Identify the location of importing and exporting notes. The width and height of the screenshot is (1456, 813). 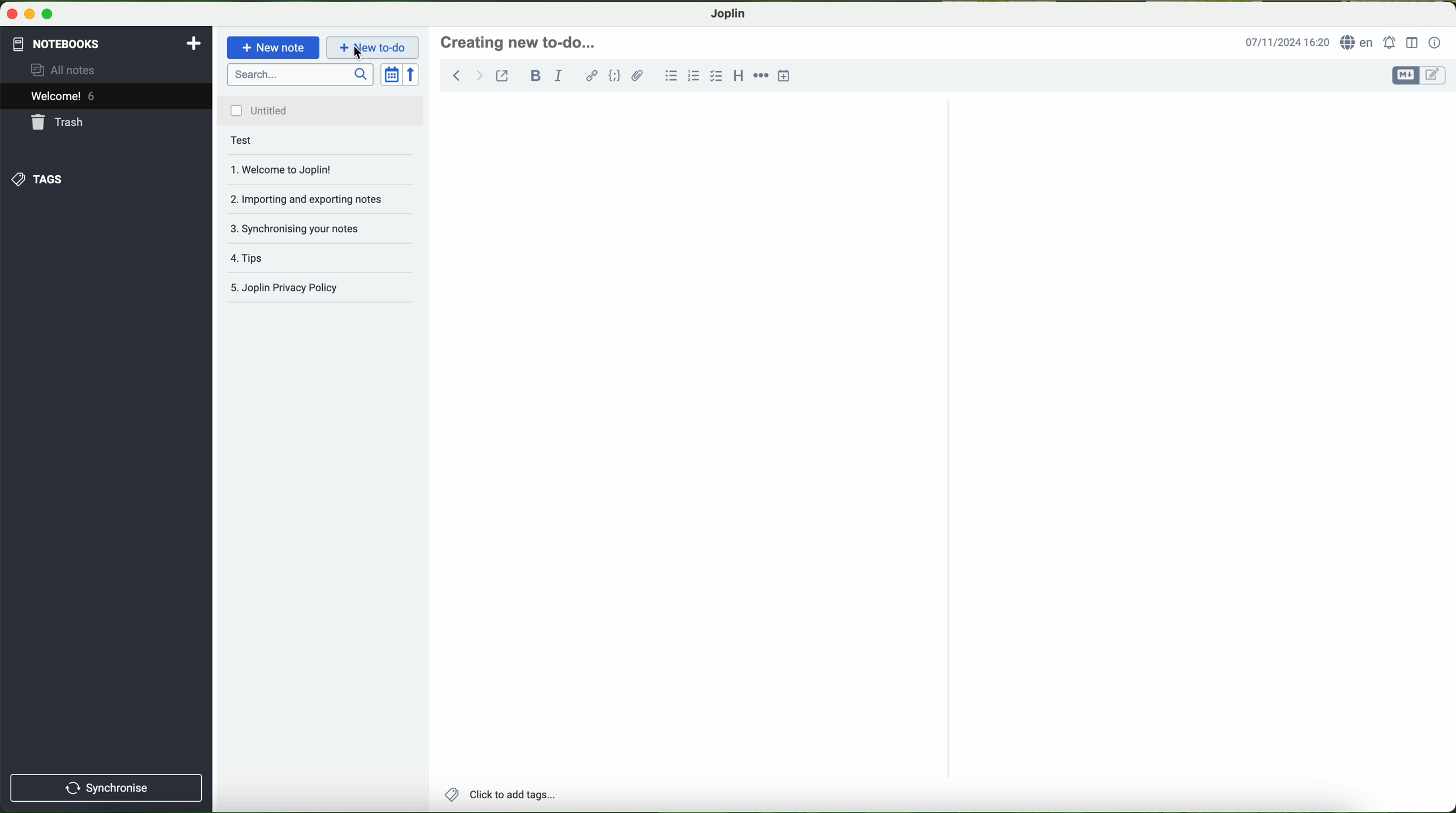
(312, 196).